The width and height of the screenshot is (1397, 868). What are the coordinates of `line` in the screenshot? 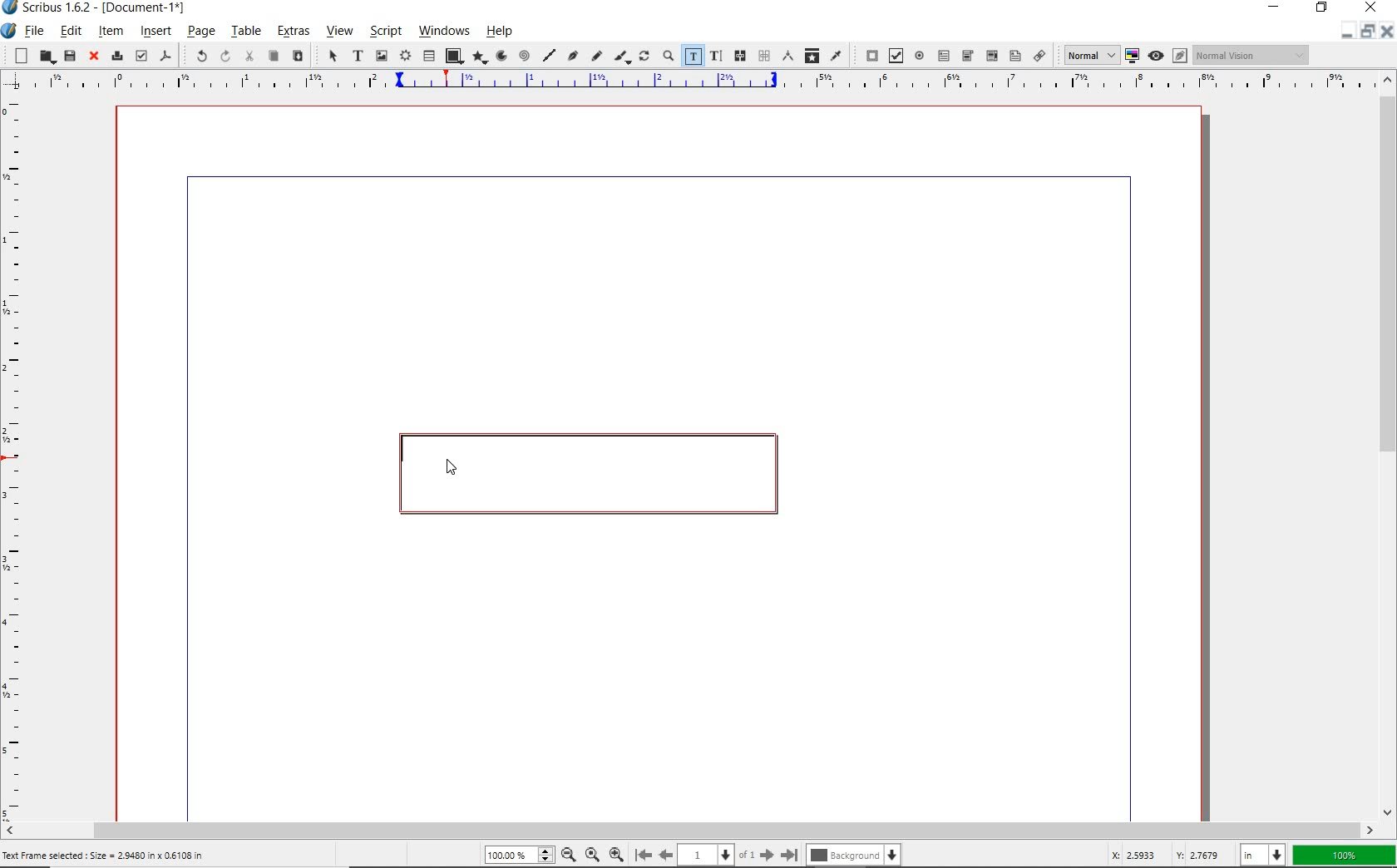 It's located at (548, 55).